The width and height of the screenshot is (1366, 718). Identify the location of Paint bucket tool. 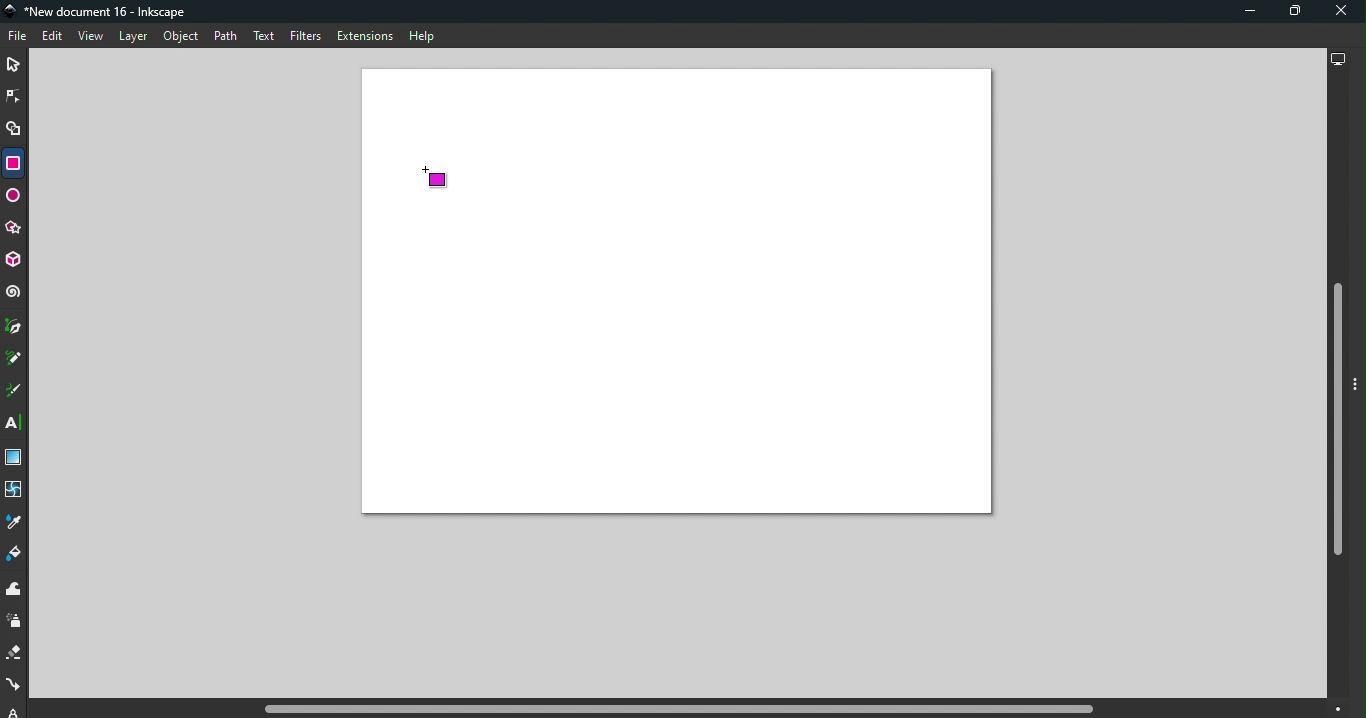
(15, 556).